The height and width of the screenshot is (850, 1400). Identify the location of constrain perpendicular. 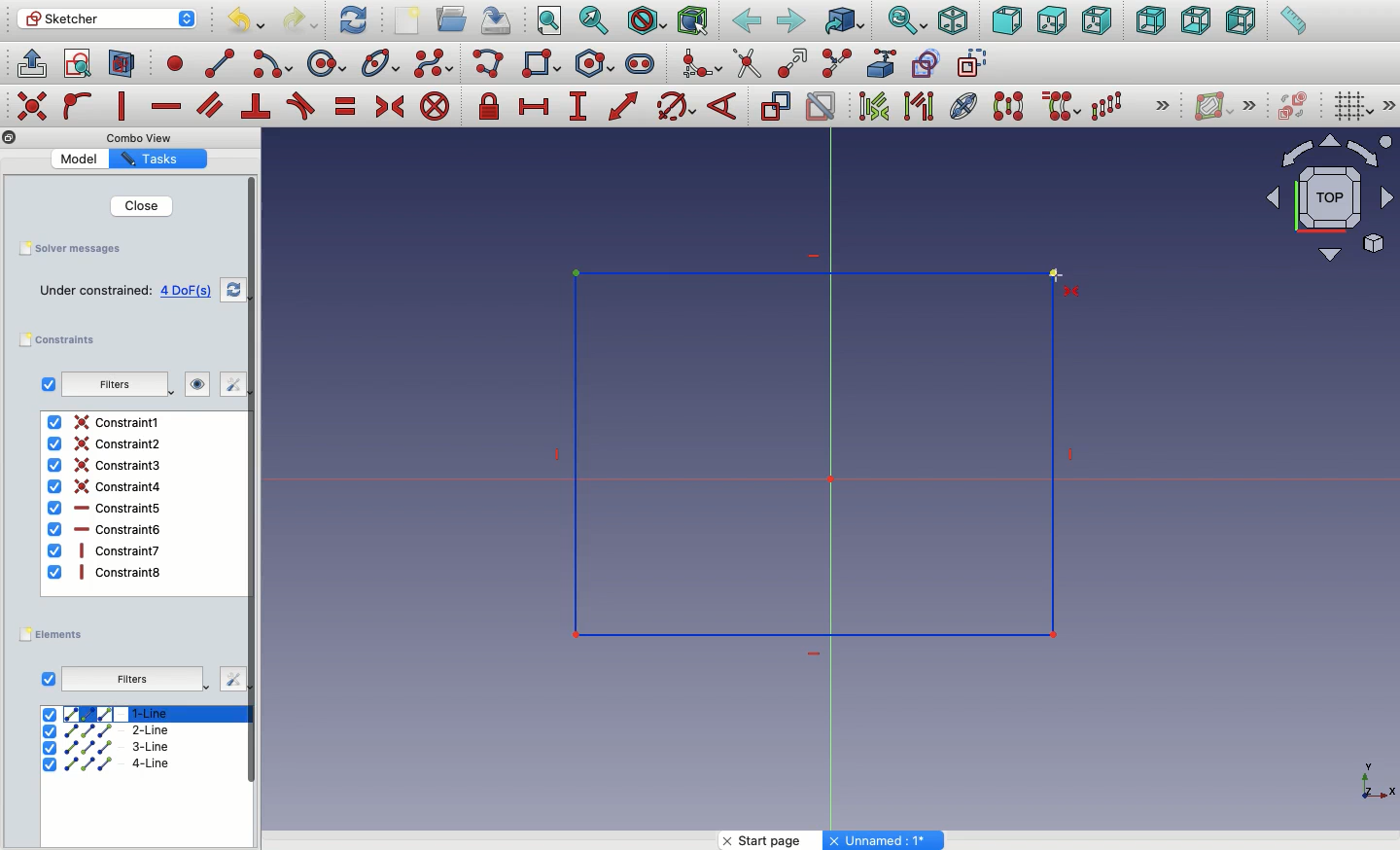
(258, 107).